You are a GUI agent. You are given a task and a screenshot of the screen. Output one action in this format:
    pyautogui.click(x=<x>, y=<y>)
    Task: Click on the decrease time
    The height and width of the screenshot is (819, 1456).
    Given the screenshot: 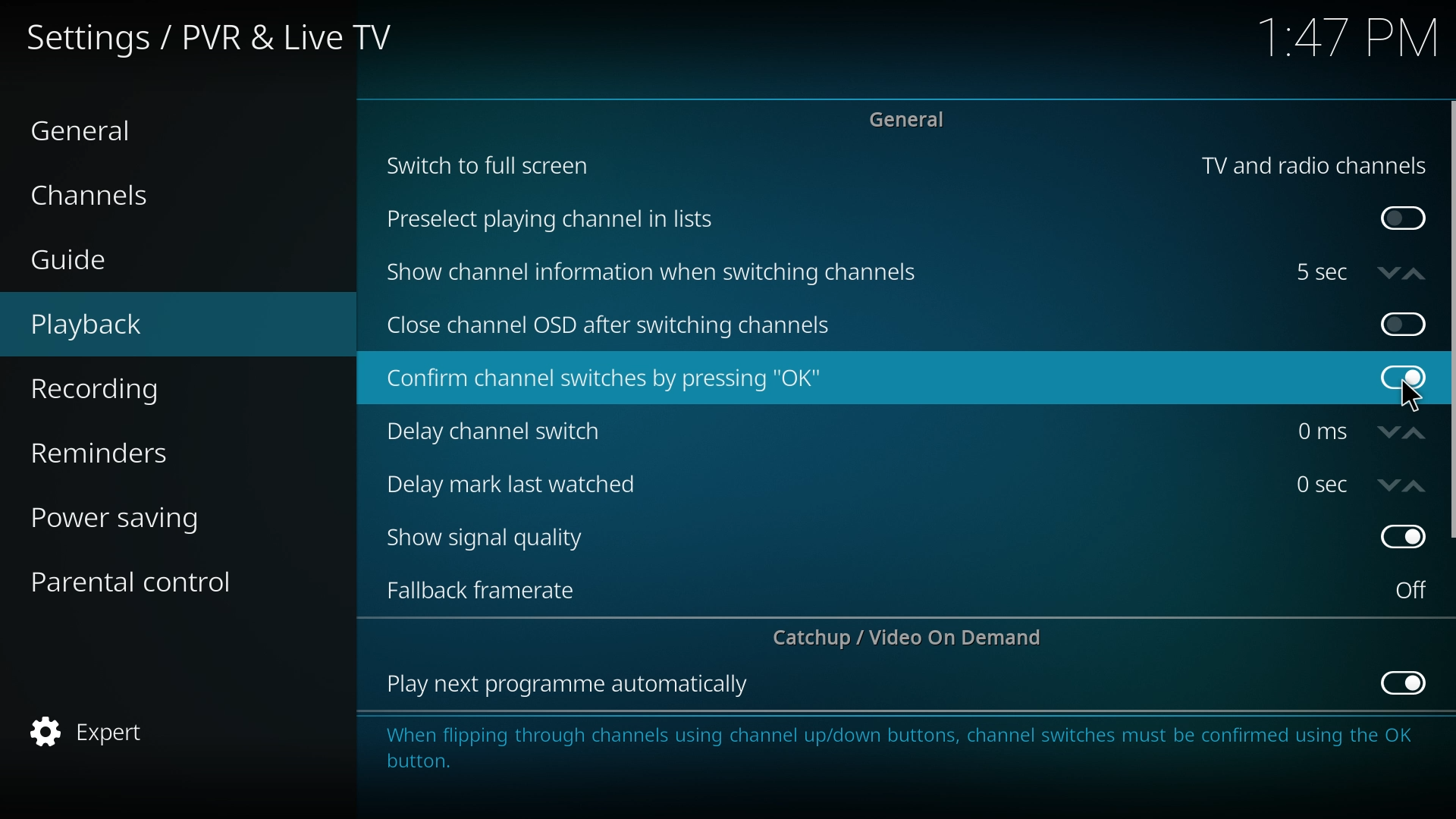 What is the action you would take?
    pyautogui.click(x=1389, y=271)
    